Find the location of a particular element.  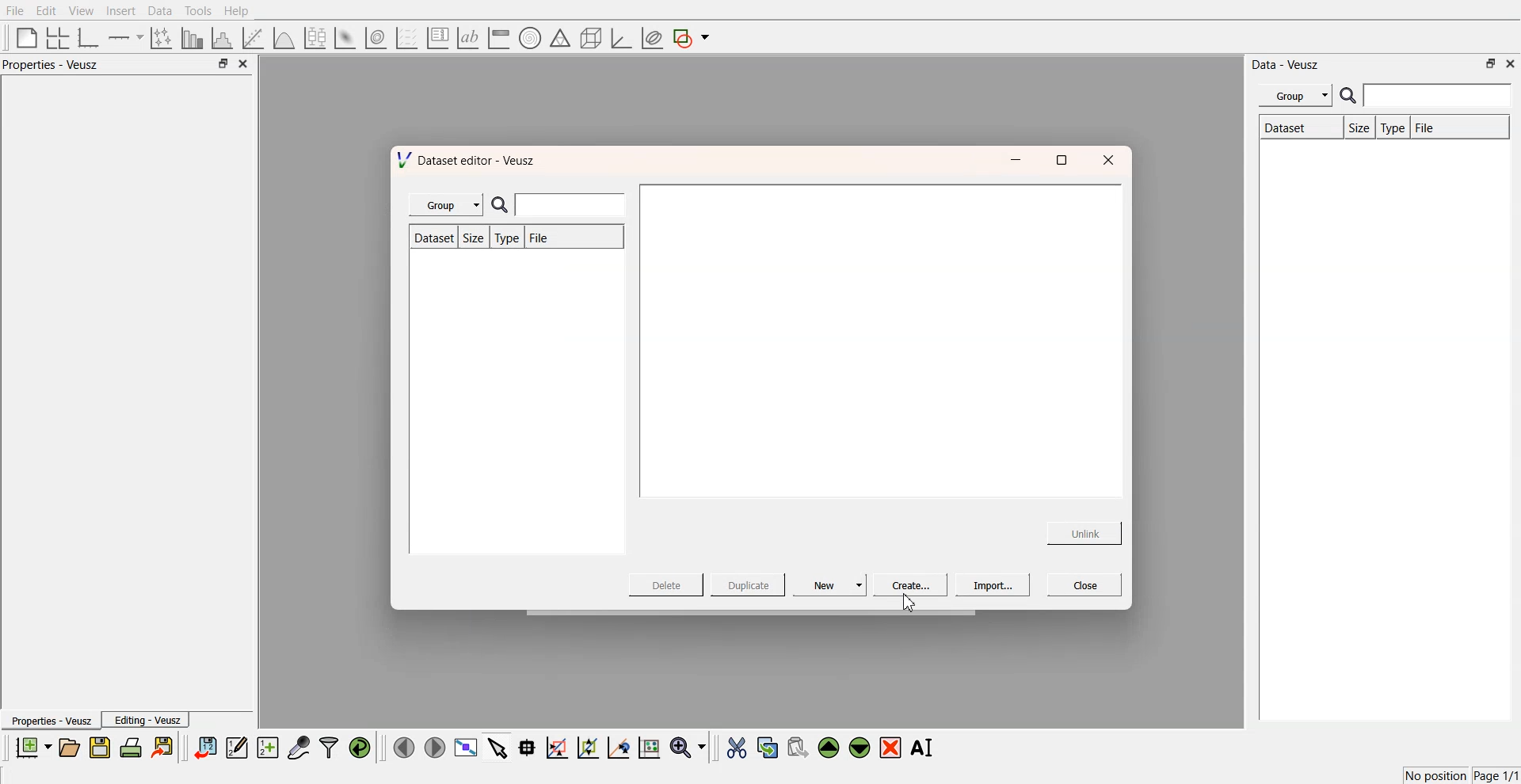

ternary shapes is located at coordinates (558, 40).